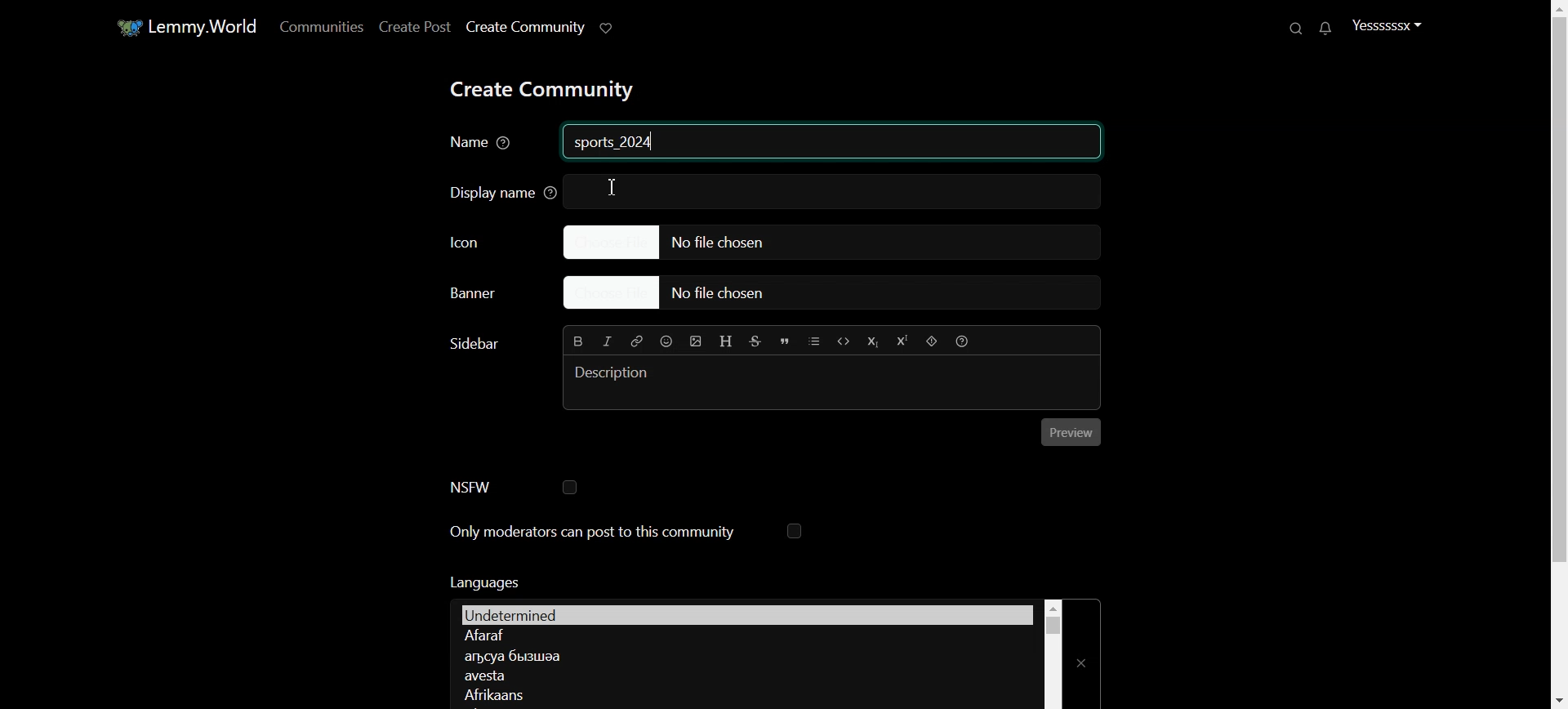  I want to click on Name, so click(483, 144).